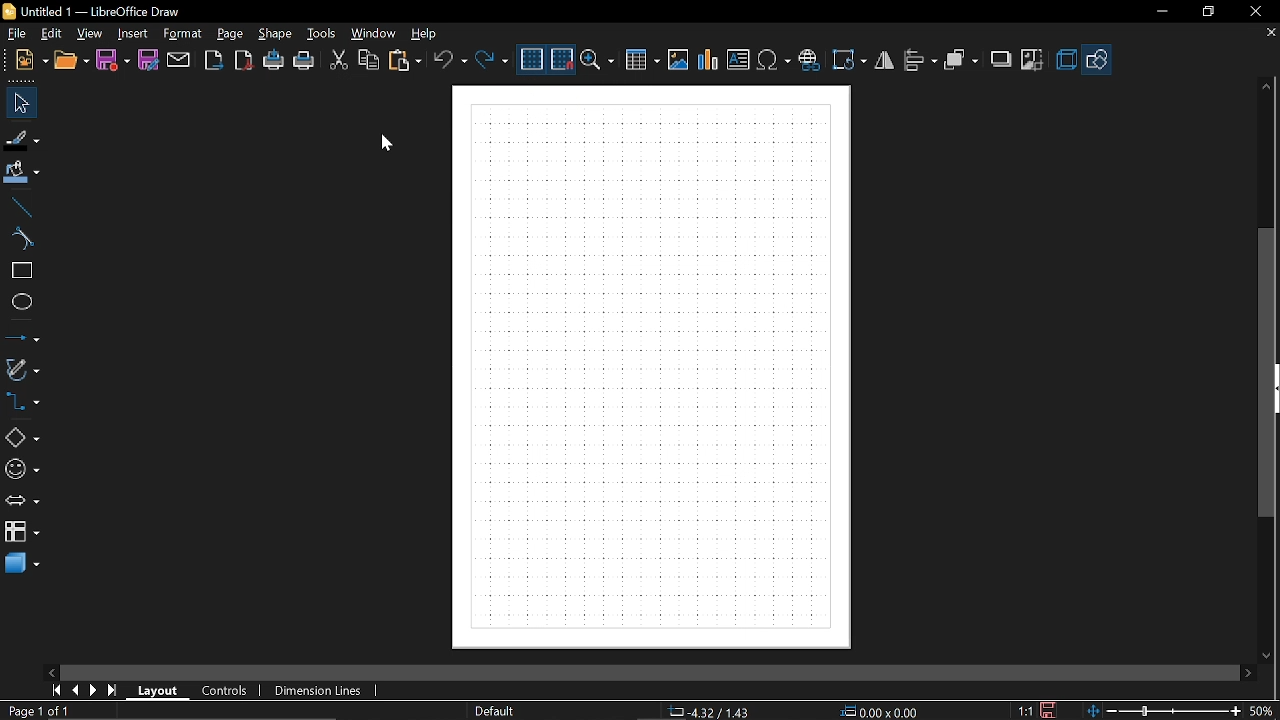 Image resolution: width=1280 pixels, height=720 pixels. Describe the element at coordinates (1265, 654) in the screenshot. I see `move down` at that location.